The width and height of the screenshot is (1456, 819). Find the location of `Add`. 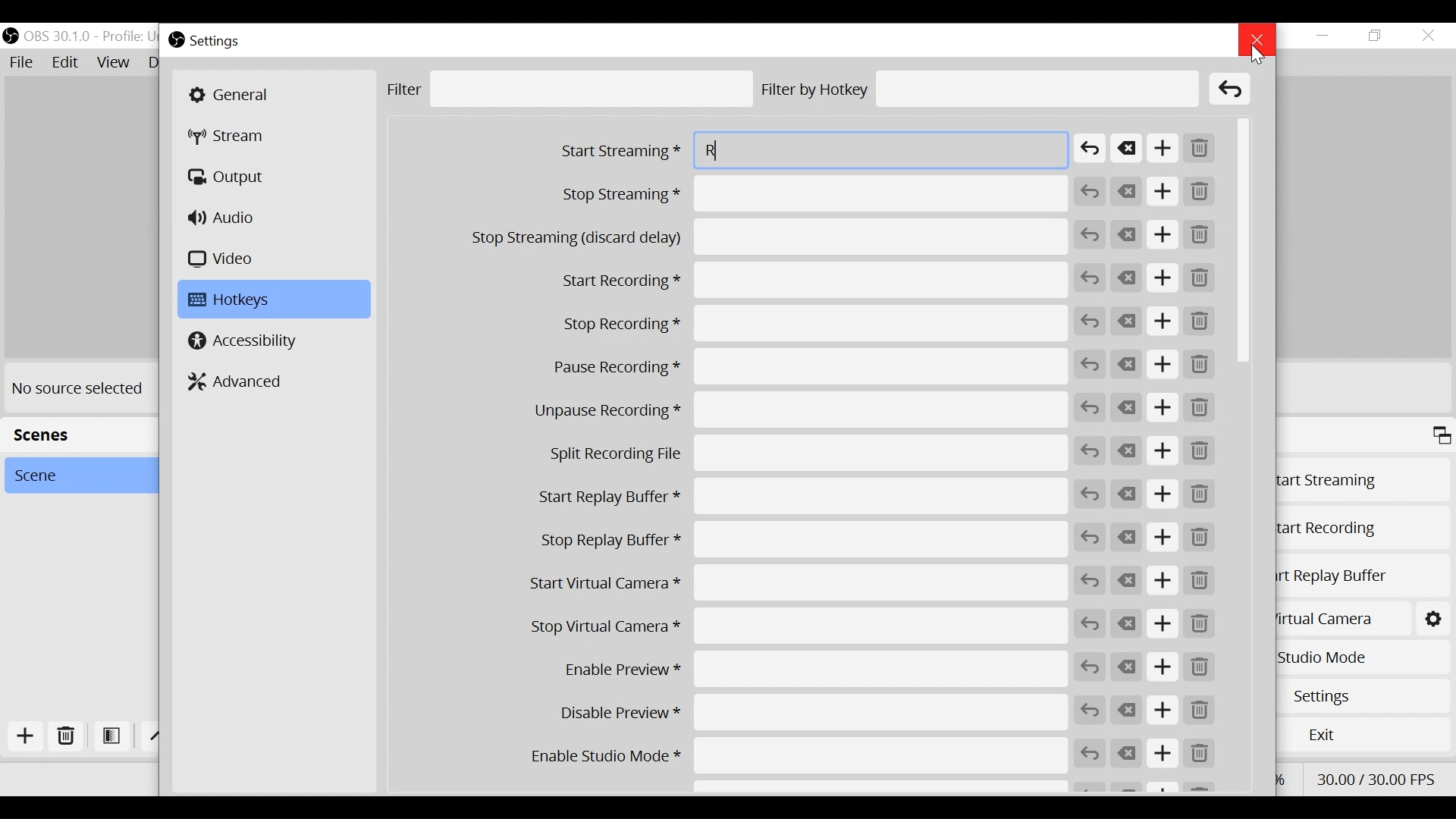

Add is located at coordinates (1163, 149).